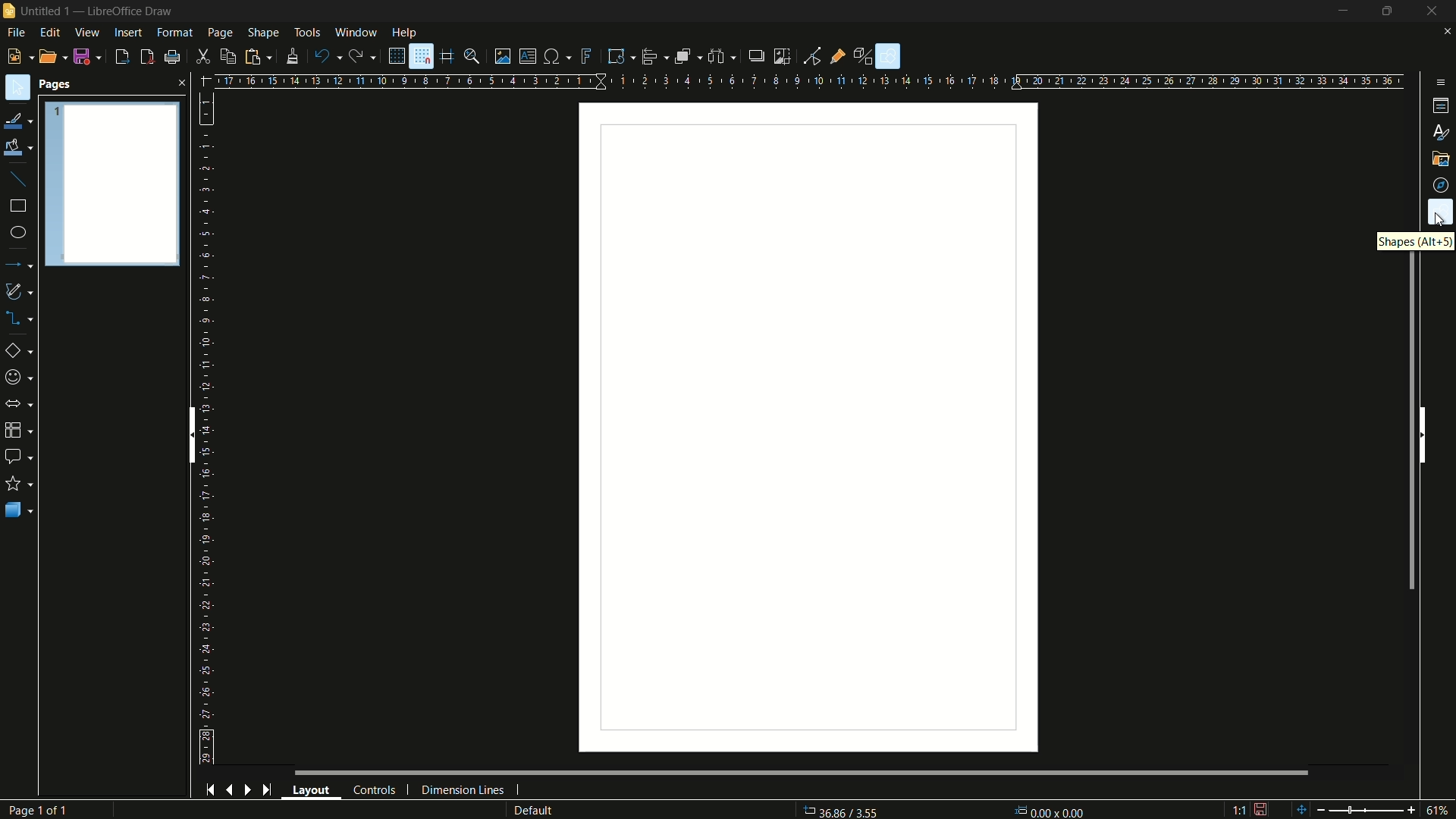 The height and width of the screenshot is (819, 1456). I want to click on stars and banners, so click(20, 483).